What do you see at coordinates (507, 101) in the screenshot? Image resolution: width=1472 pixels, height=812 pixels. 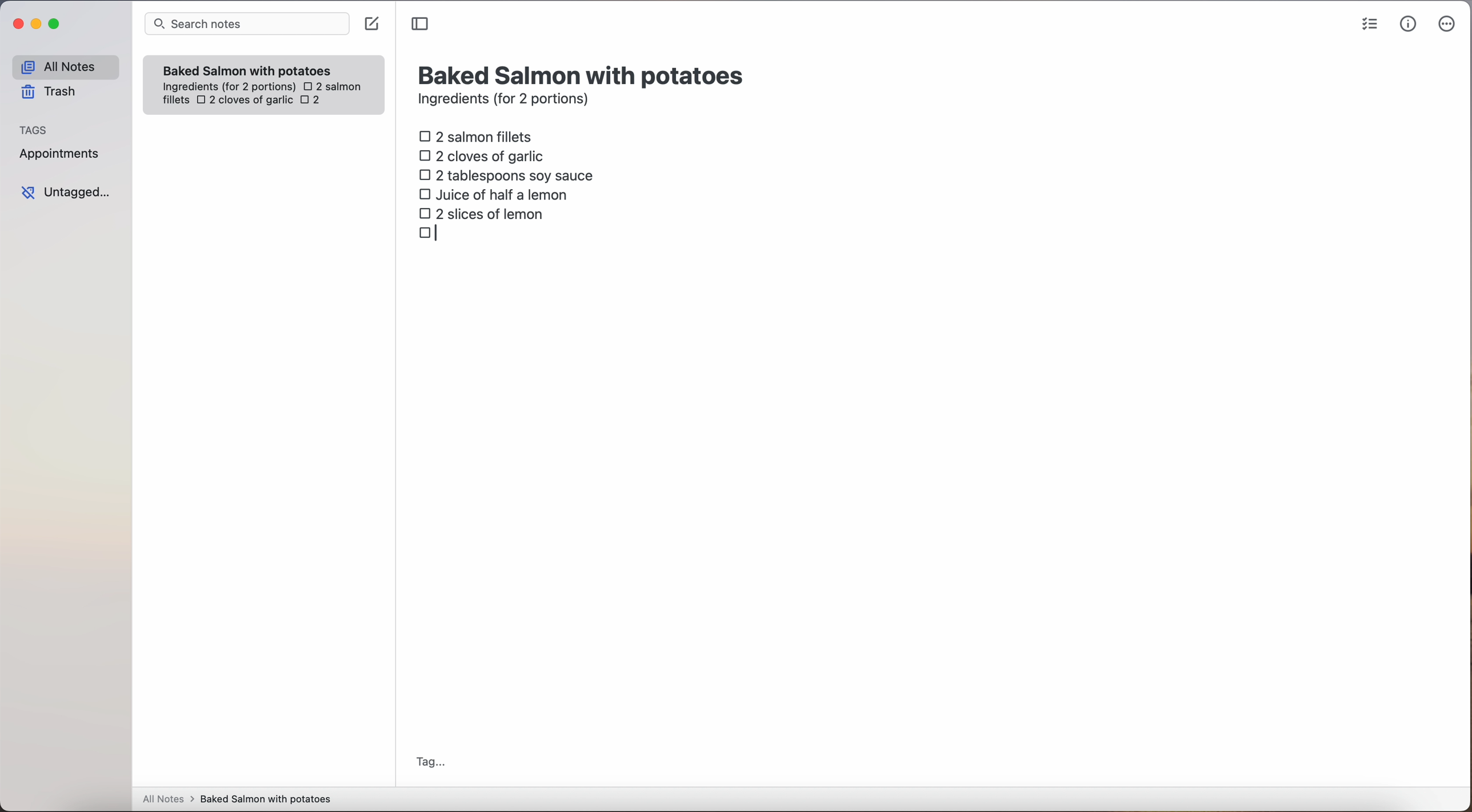 I see `ingredients (for 2 portions)` at bounding box center [507, 101].